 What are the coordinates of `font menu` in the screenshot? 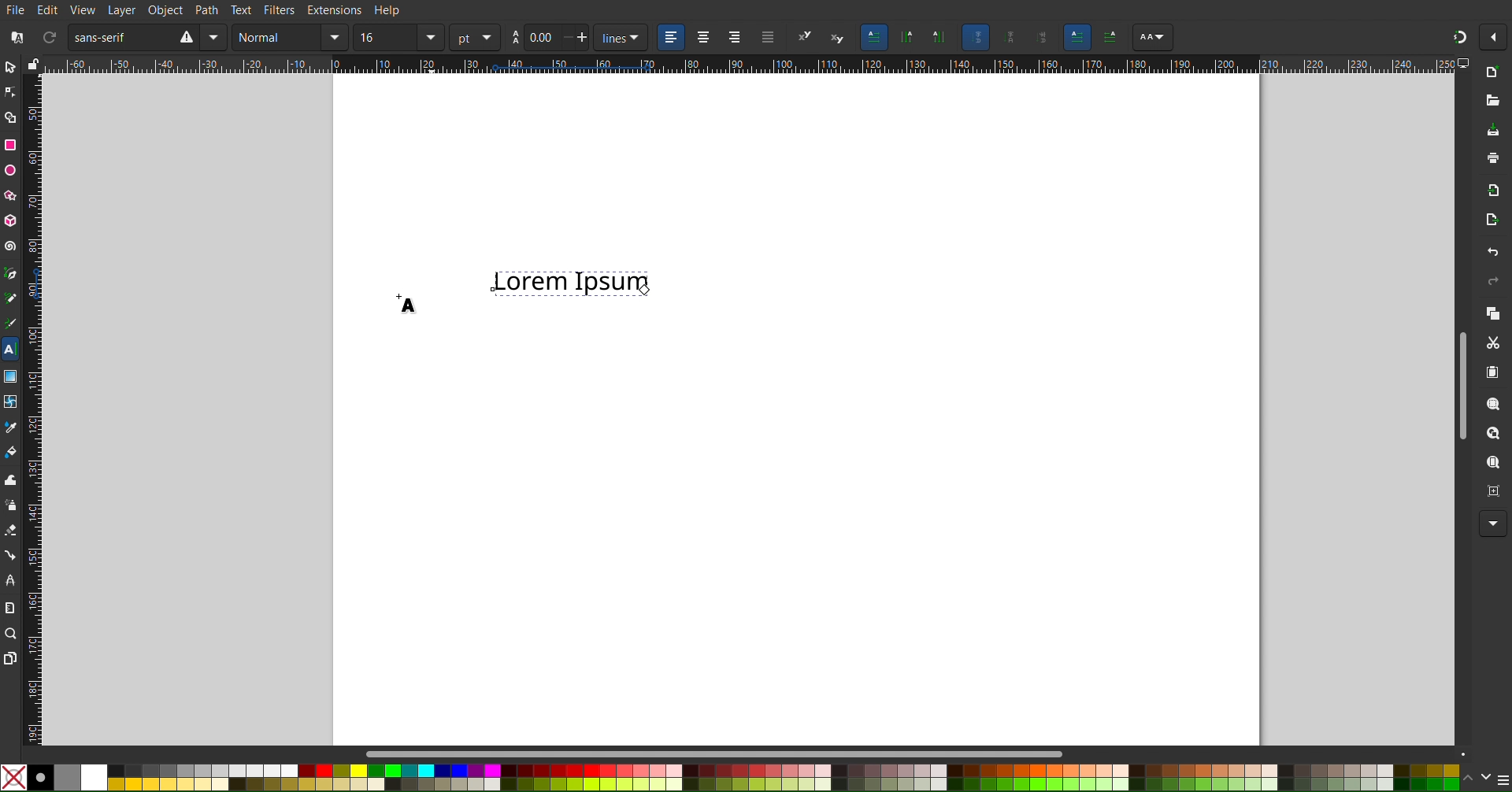 It's located at (217, 37).